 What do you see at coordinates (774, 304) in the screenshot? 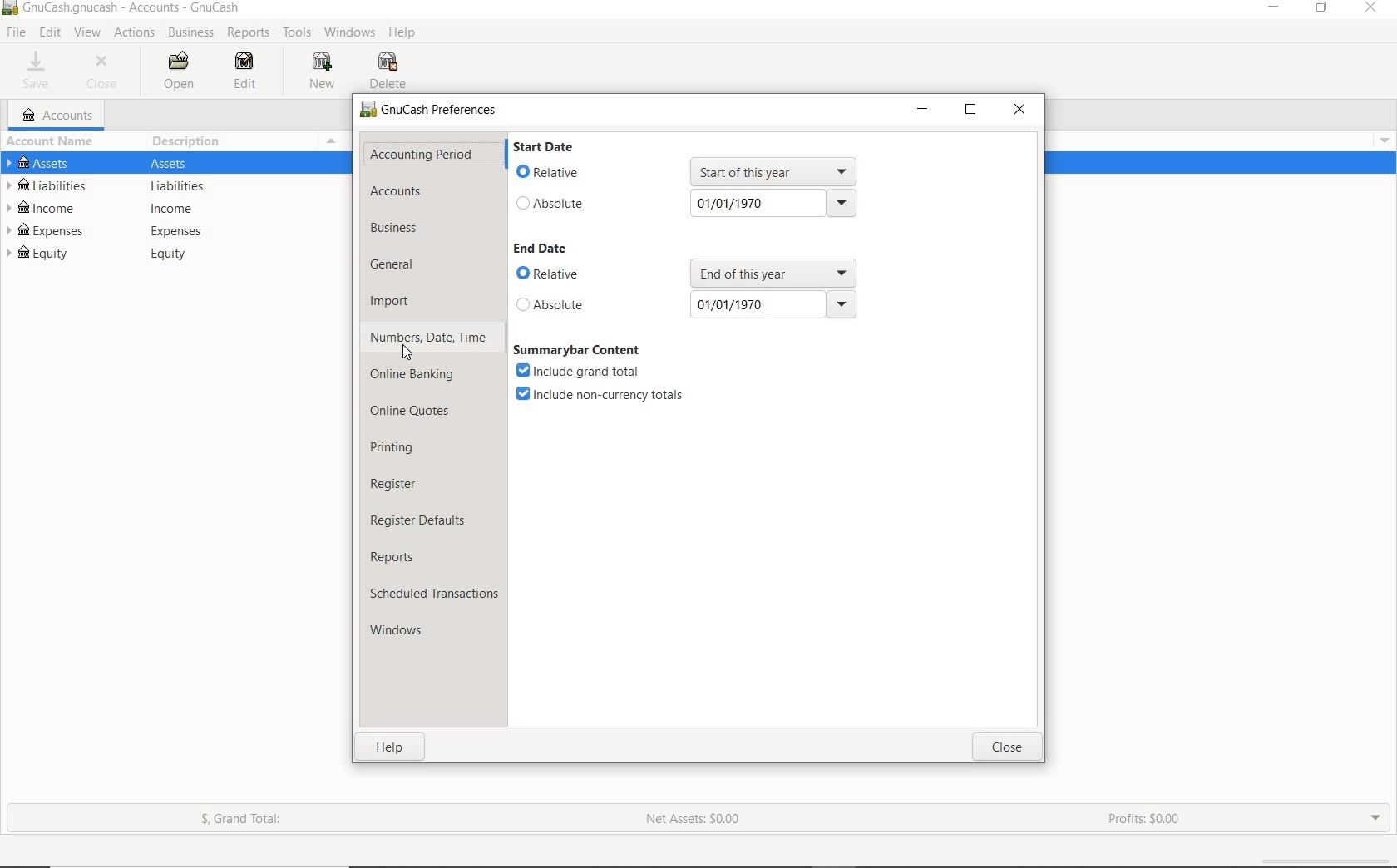
I see `01/01/1970` at bounding box center [774, 304].